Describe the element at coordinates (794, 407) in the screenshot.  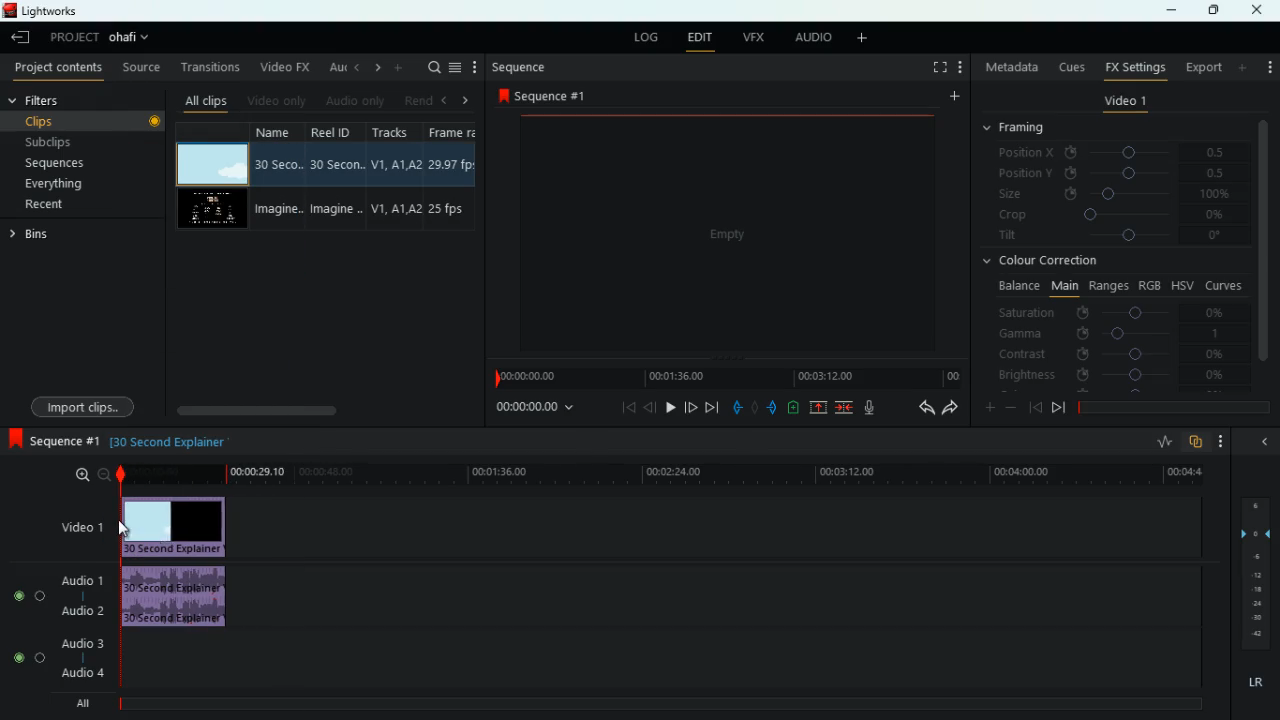
I see `charge` at that location.